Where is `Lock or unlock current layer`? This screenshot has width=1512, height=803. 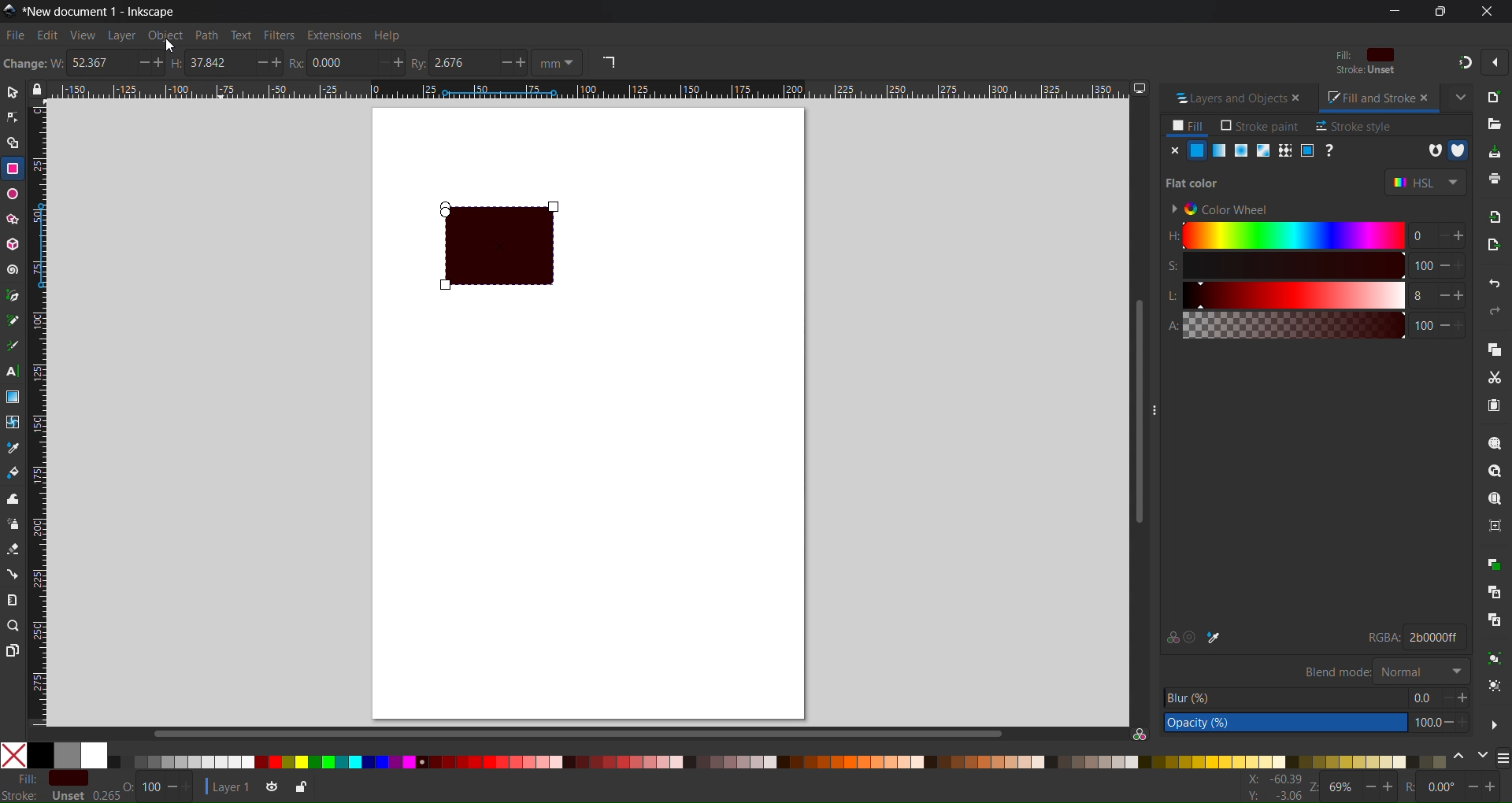
Lock or unlock current layer is located at coordinates (299, 789).